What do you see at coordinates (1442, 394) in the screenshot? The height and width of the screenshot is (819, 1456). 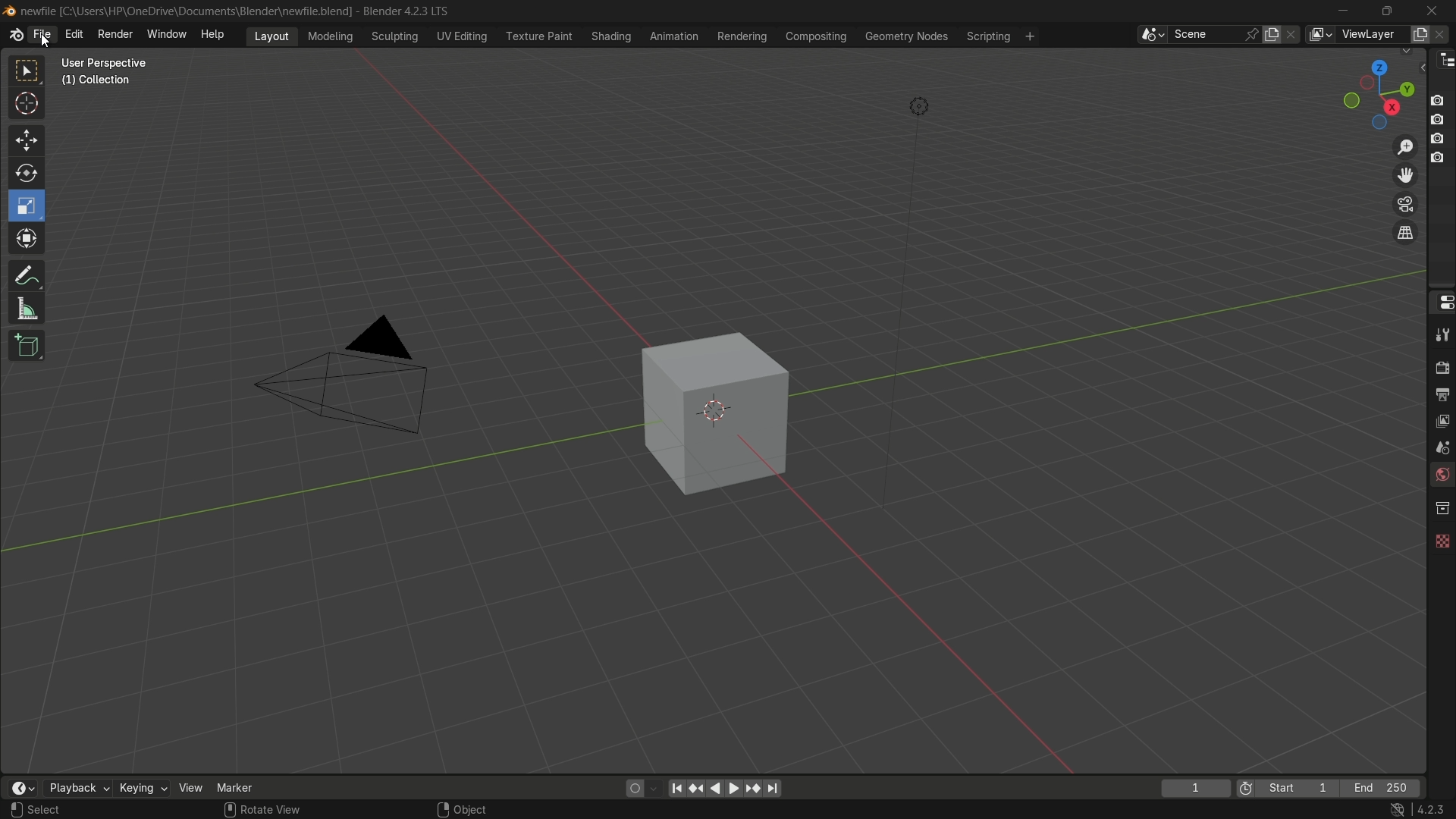 I see `output` at bounding box center [1442, 394].